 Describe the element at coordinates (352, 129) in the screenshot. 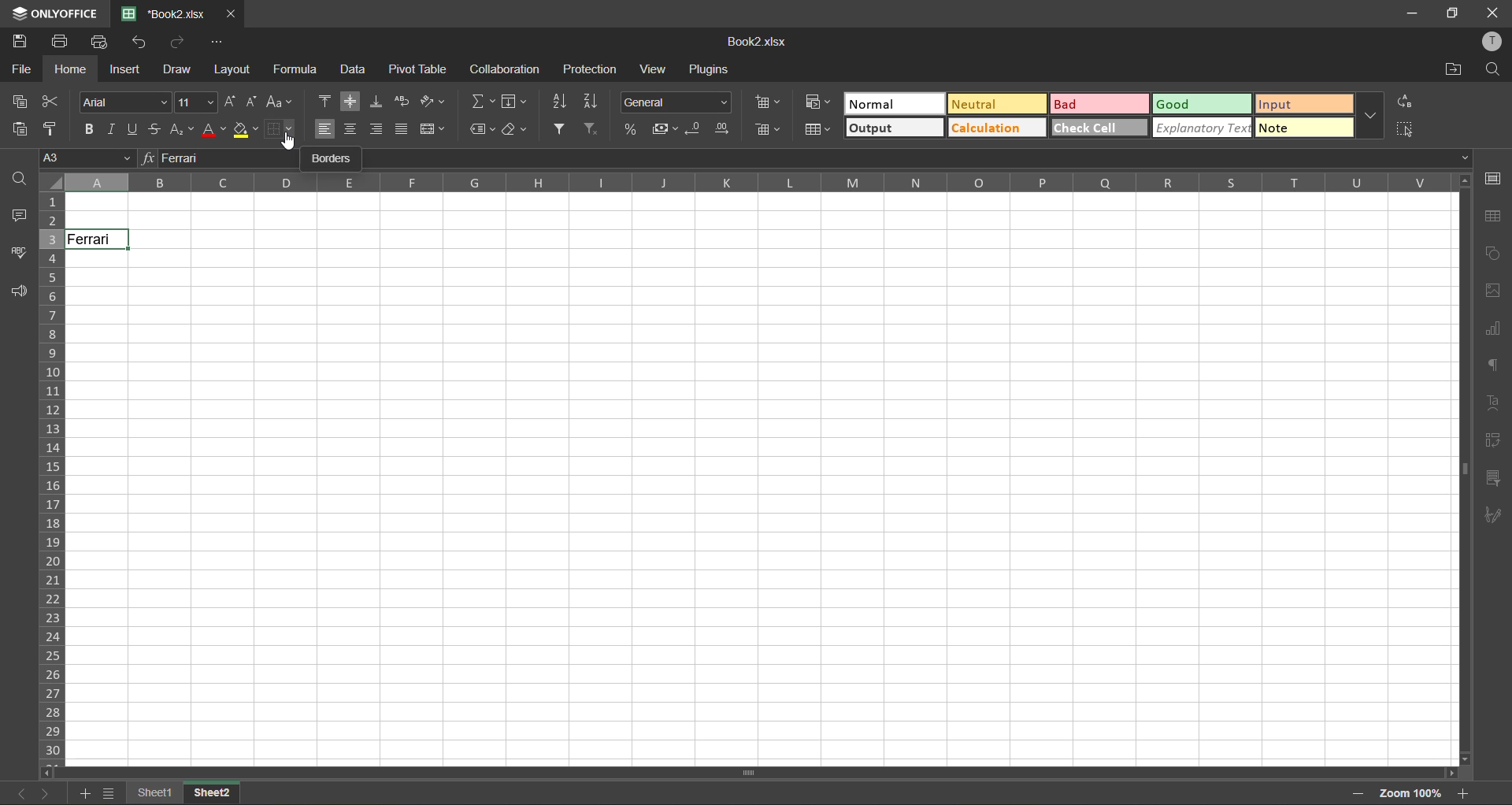

I see `align center` at that location.